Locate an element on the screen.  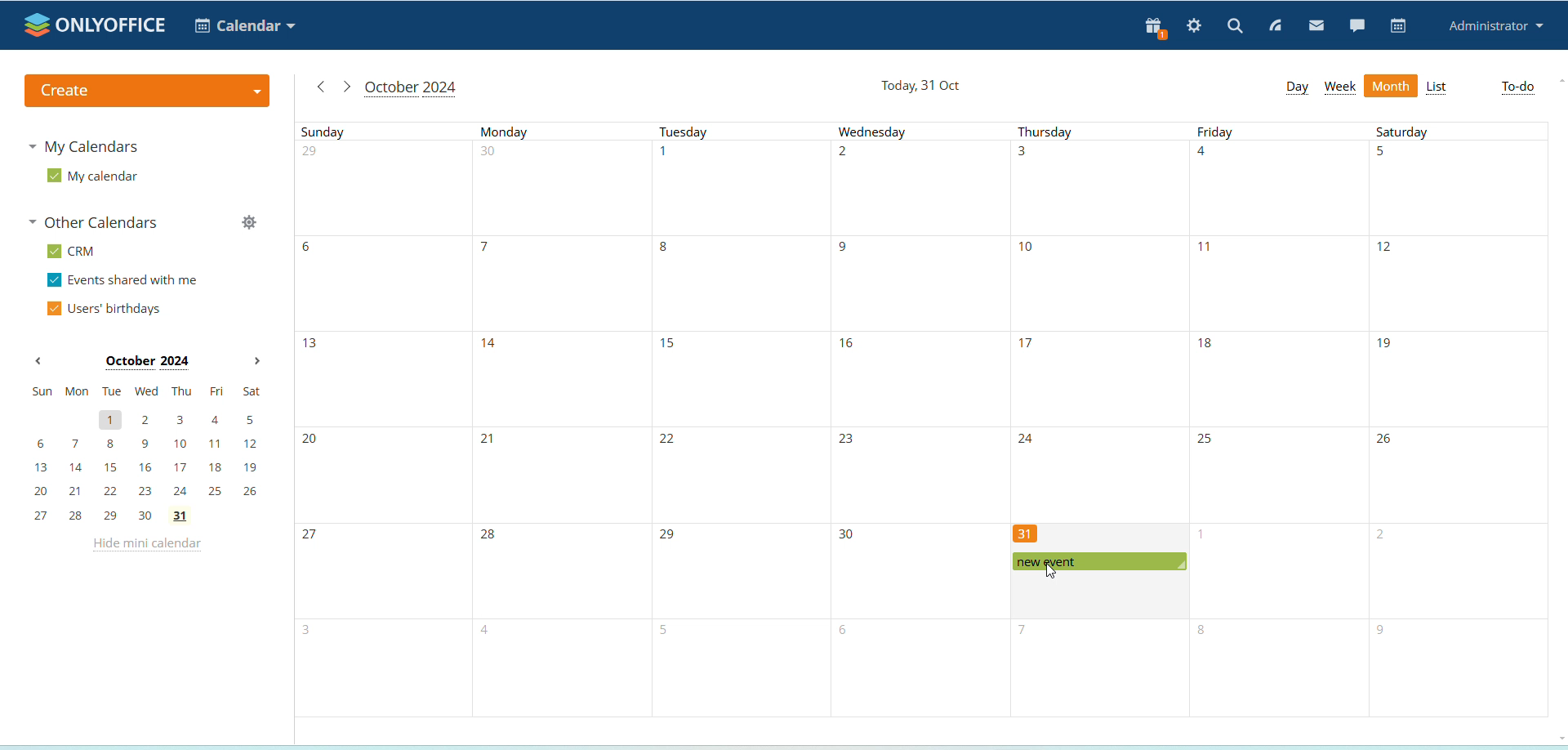
users' birthdays is located at coordinates (103, 310).